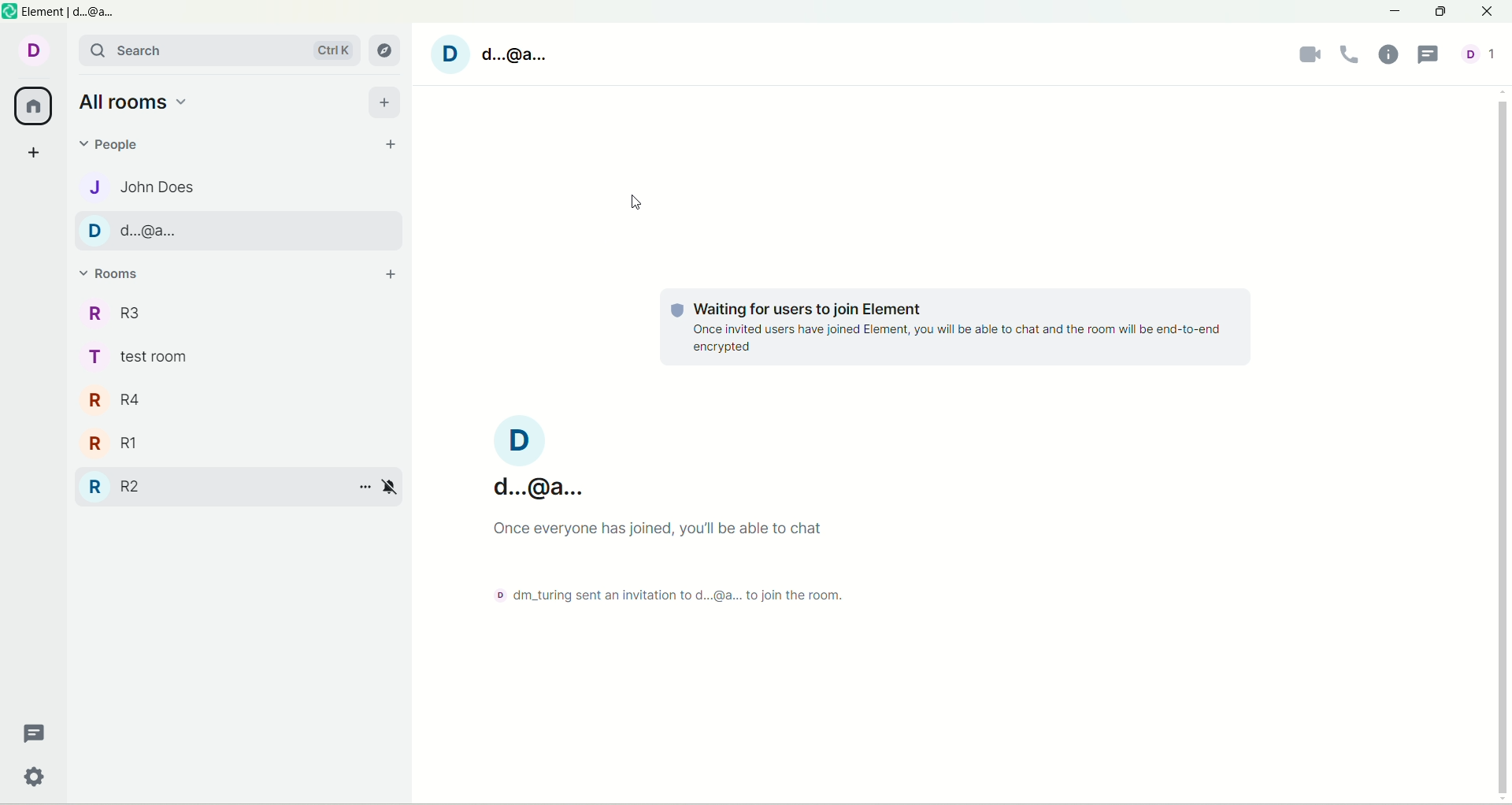 This screenshot has height=805, width=1512. I want to click on maximize, so click(1438, 14).